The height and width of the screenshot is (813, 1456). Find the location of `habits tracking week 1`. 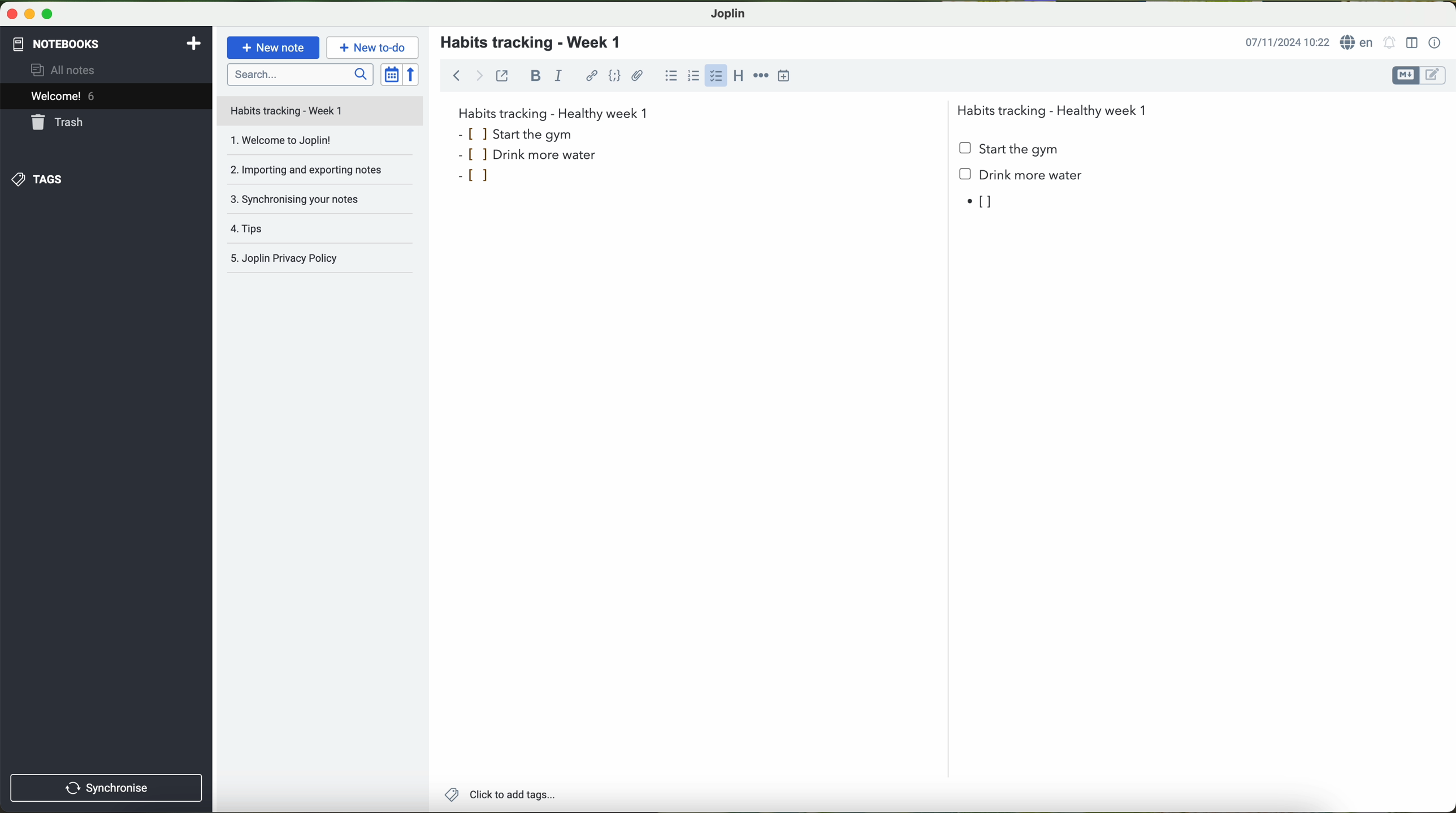

habits tracking week 1 is located at coordinates (553, 112).